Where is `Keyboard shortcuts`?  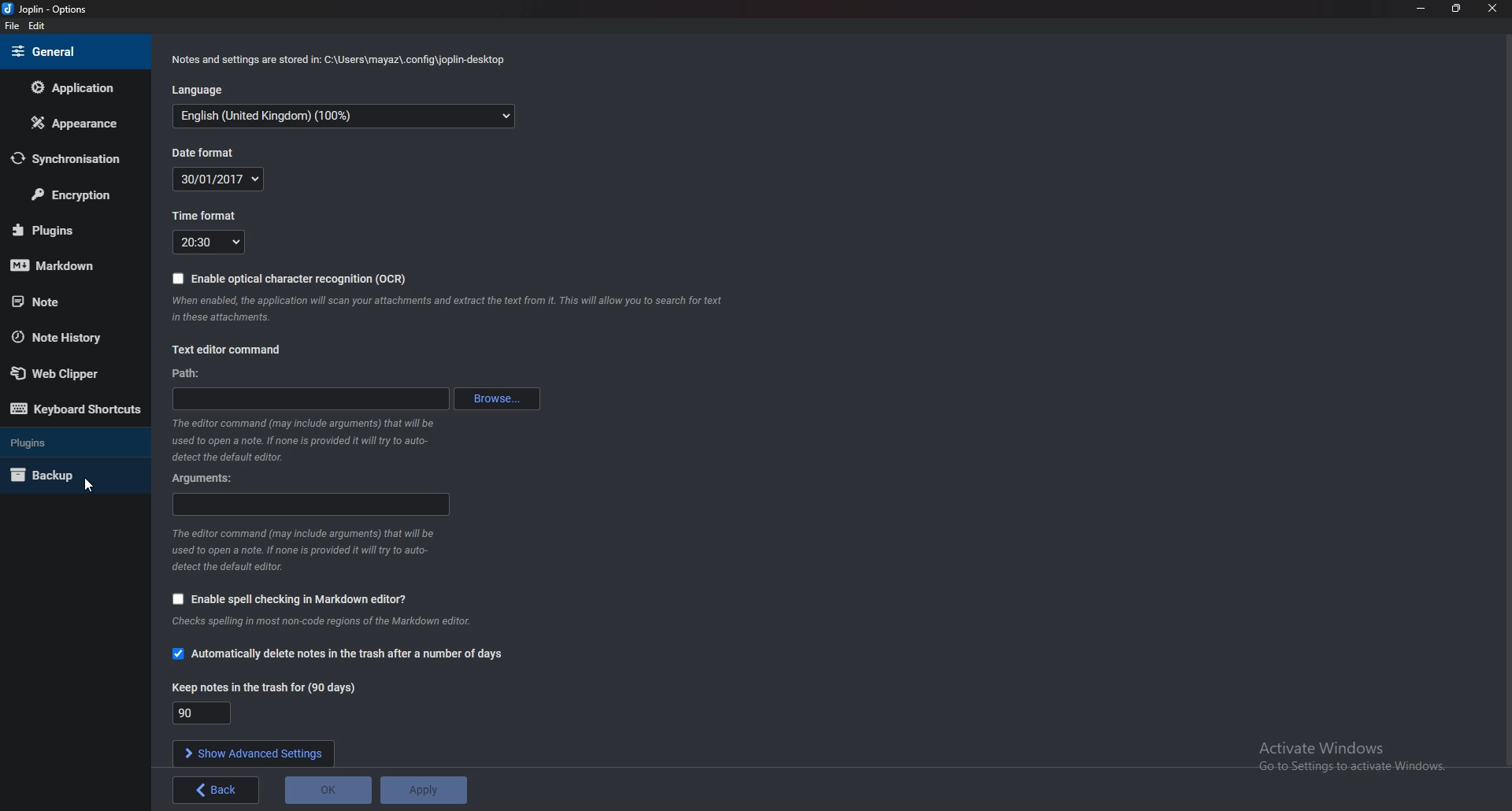
Keyboard shortcuts is located at coordinates (76, 409).